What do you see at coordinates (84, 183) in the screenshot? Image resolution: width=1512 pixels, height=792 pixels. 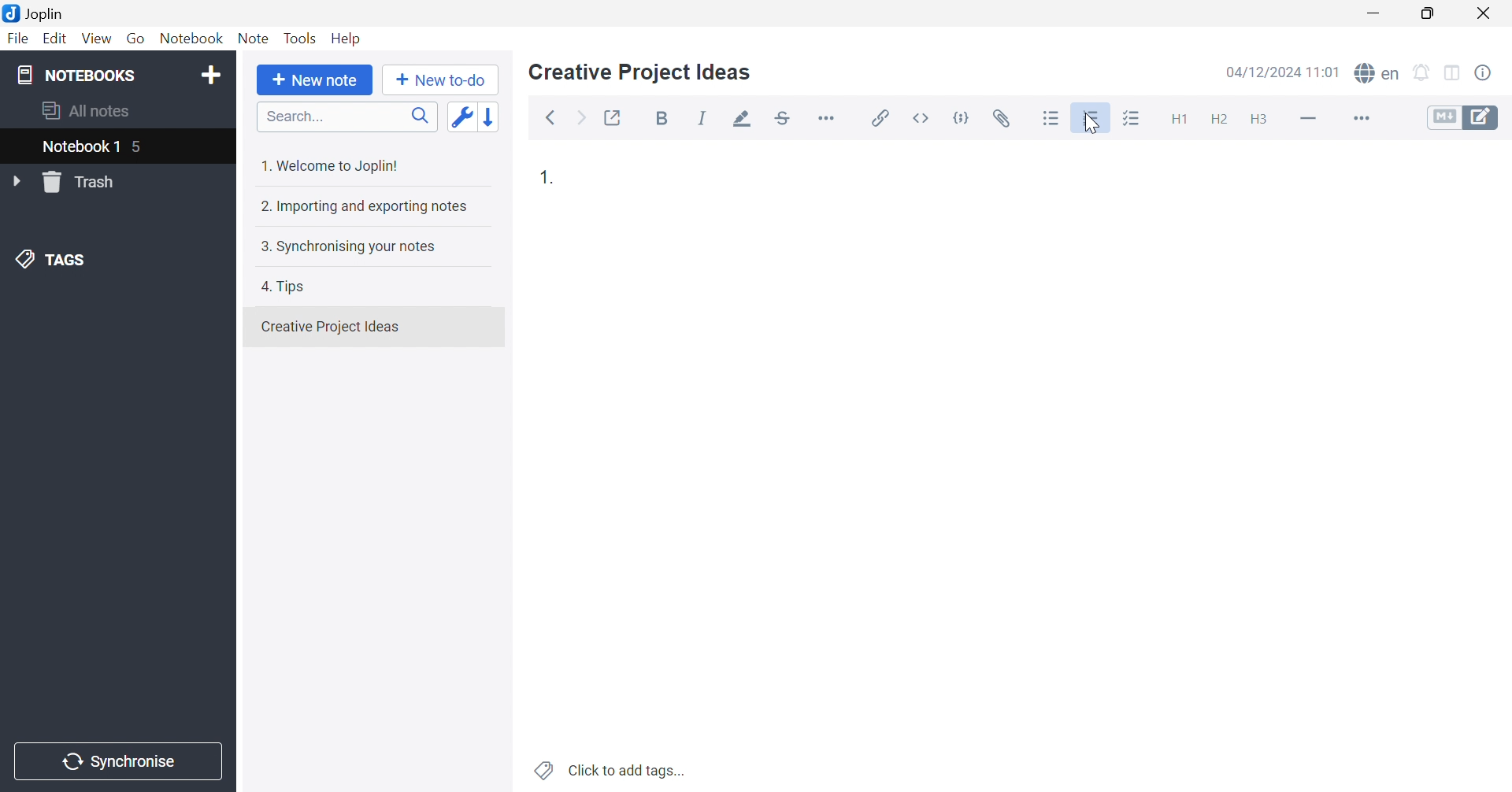 I see `Trash` at bounding box center [84, 183].